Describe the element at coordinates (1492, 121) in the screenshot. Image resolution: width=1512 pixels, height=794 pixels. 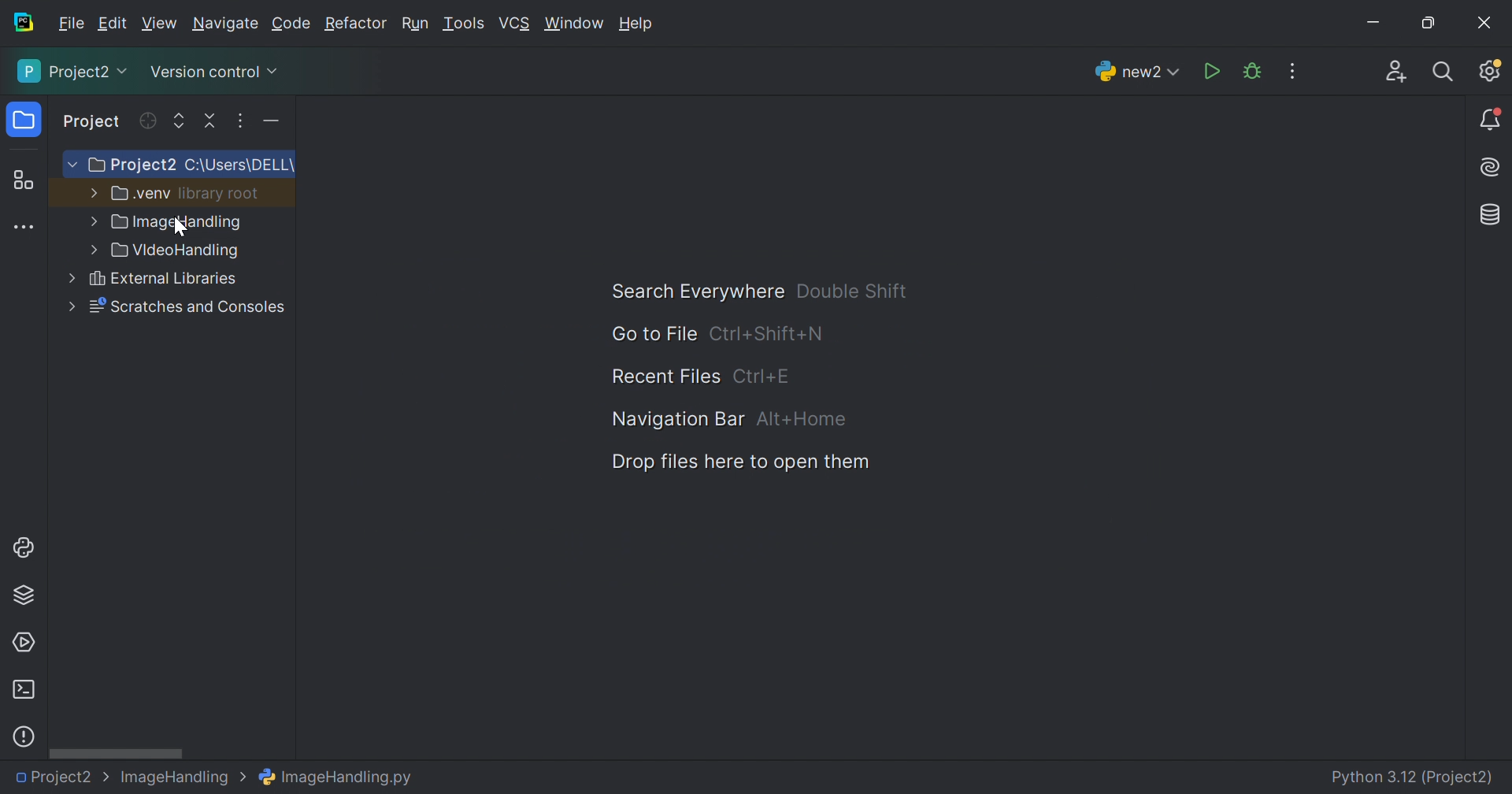
I see `Notifications` at that location.